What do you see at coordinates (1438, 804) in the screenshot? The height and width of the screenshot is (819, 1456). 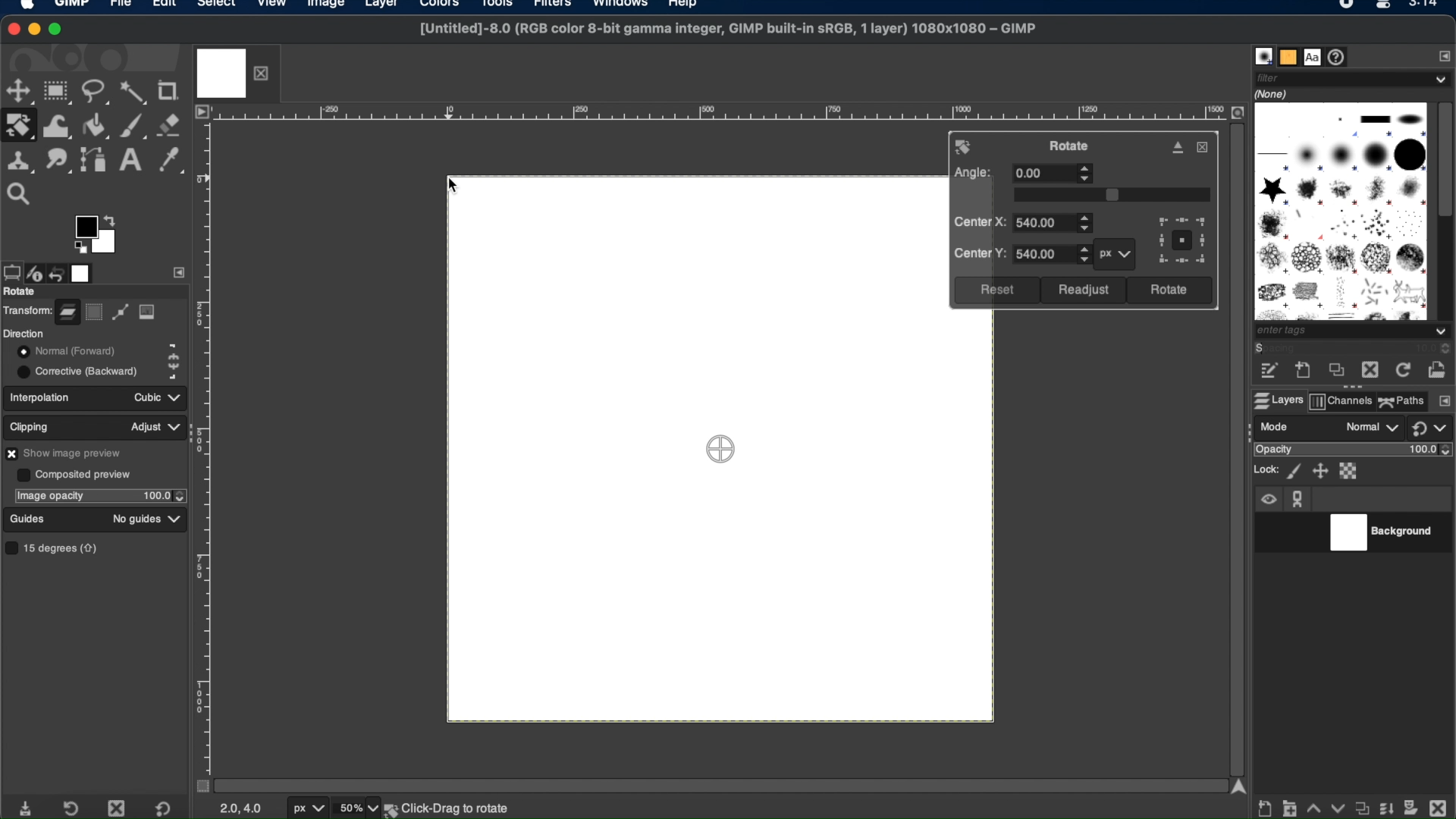 I see `delete this layer` at bounding box center [1438, 804].